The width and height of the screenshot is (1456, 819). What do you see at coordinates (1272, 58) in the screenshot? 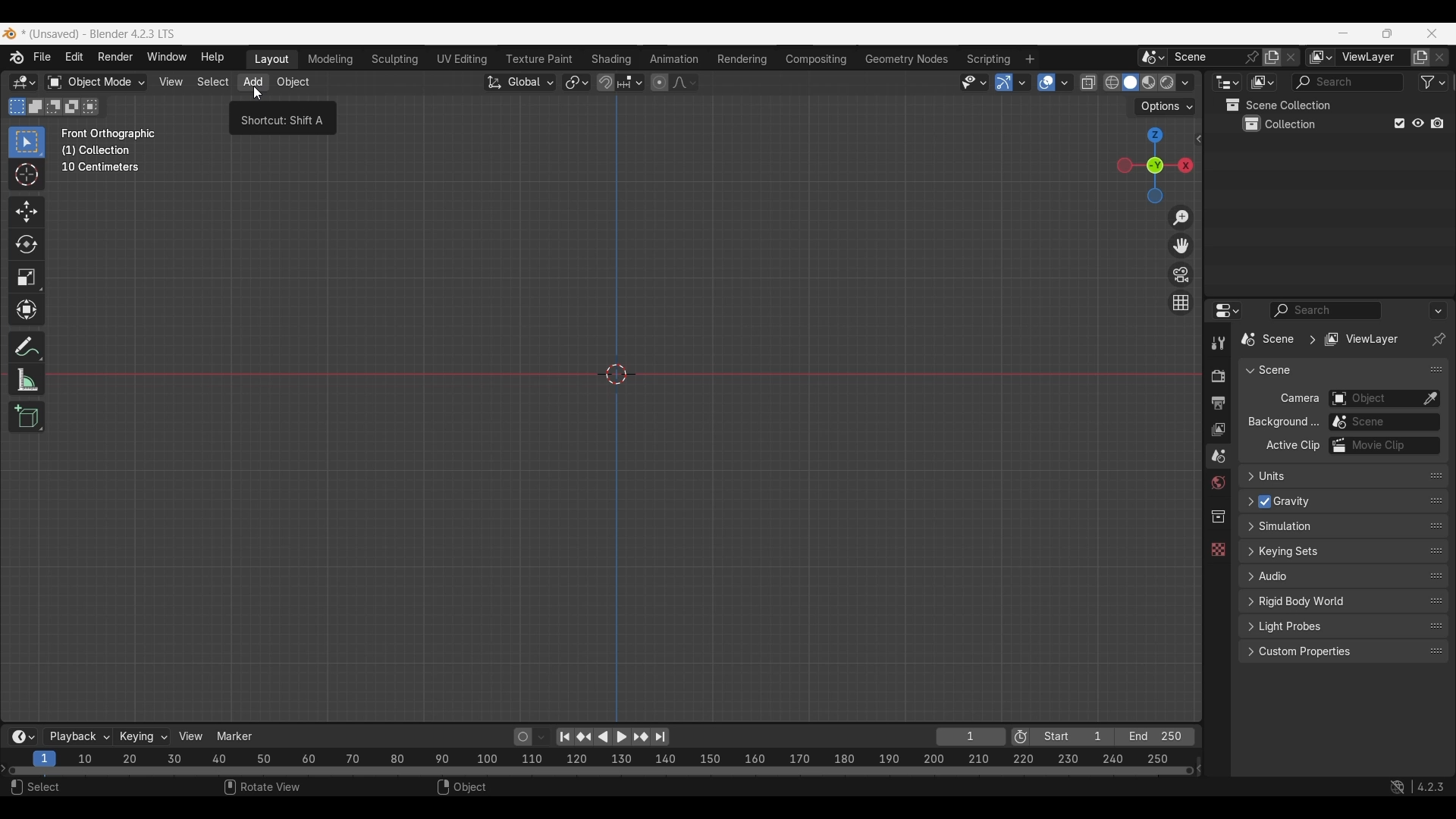
I see `Add new scene` at bounding box center [1272, 58].